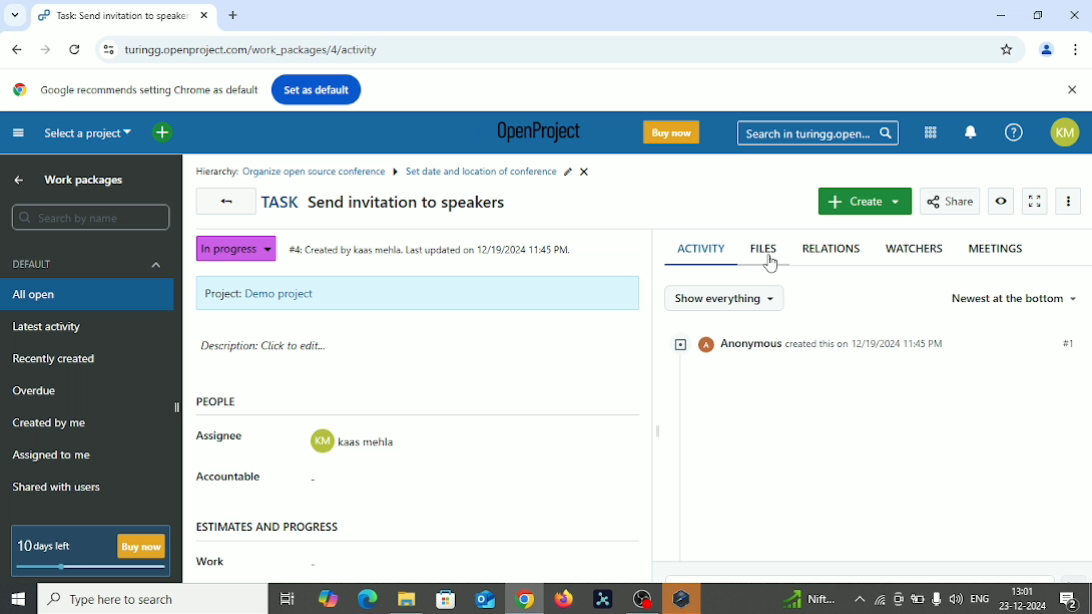 The image size is (1092, 614). Describe the element at coordinates (898, 599) in the screenshot. I see `Meet now` at that location.